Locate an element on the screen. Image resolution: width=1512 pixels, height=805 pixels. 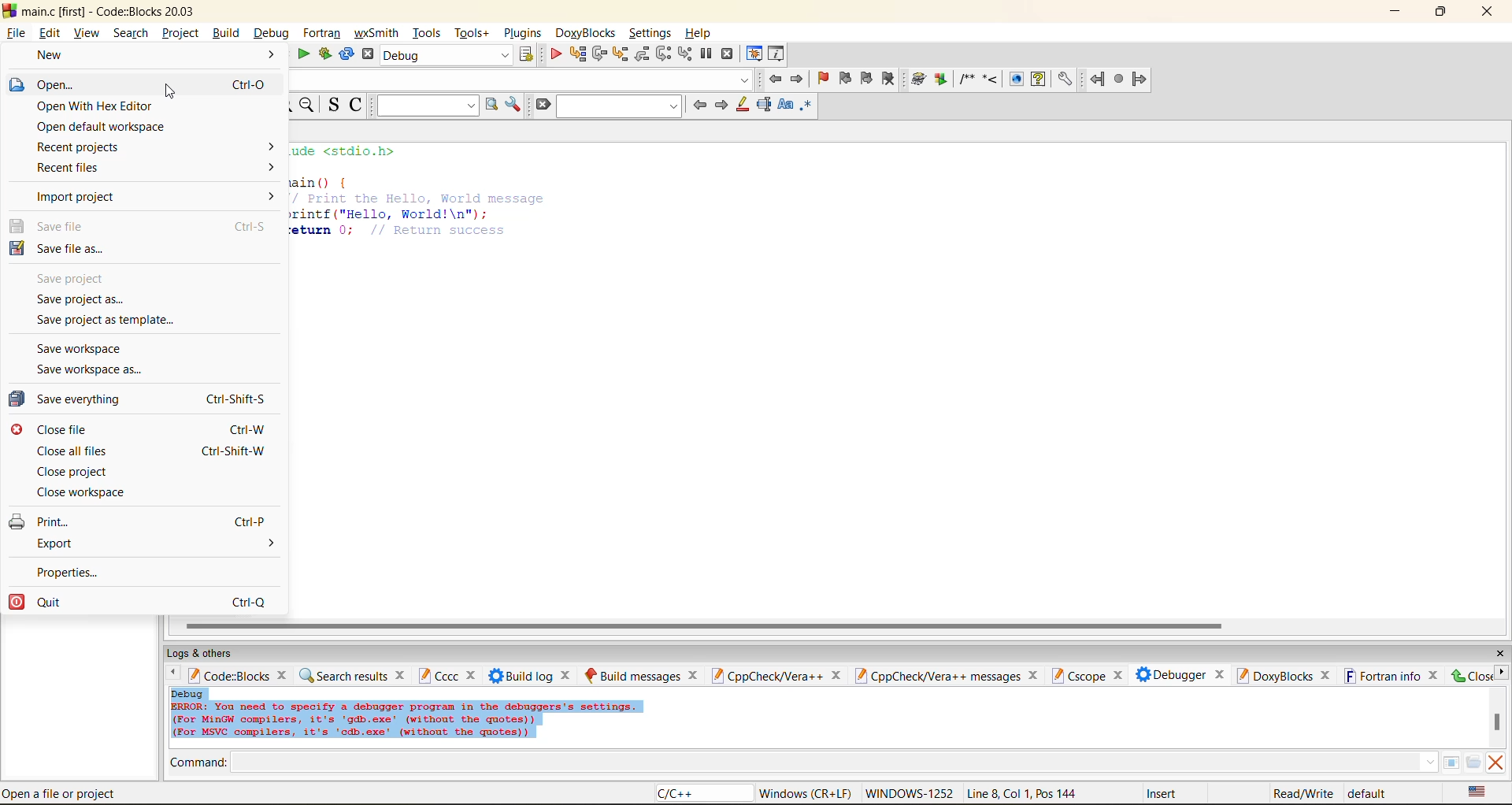
logo is located at coordinates (9, 9).